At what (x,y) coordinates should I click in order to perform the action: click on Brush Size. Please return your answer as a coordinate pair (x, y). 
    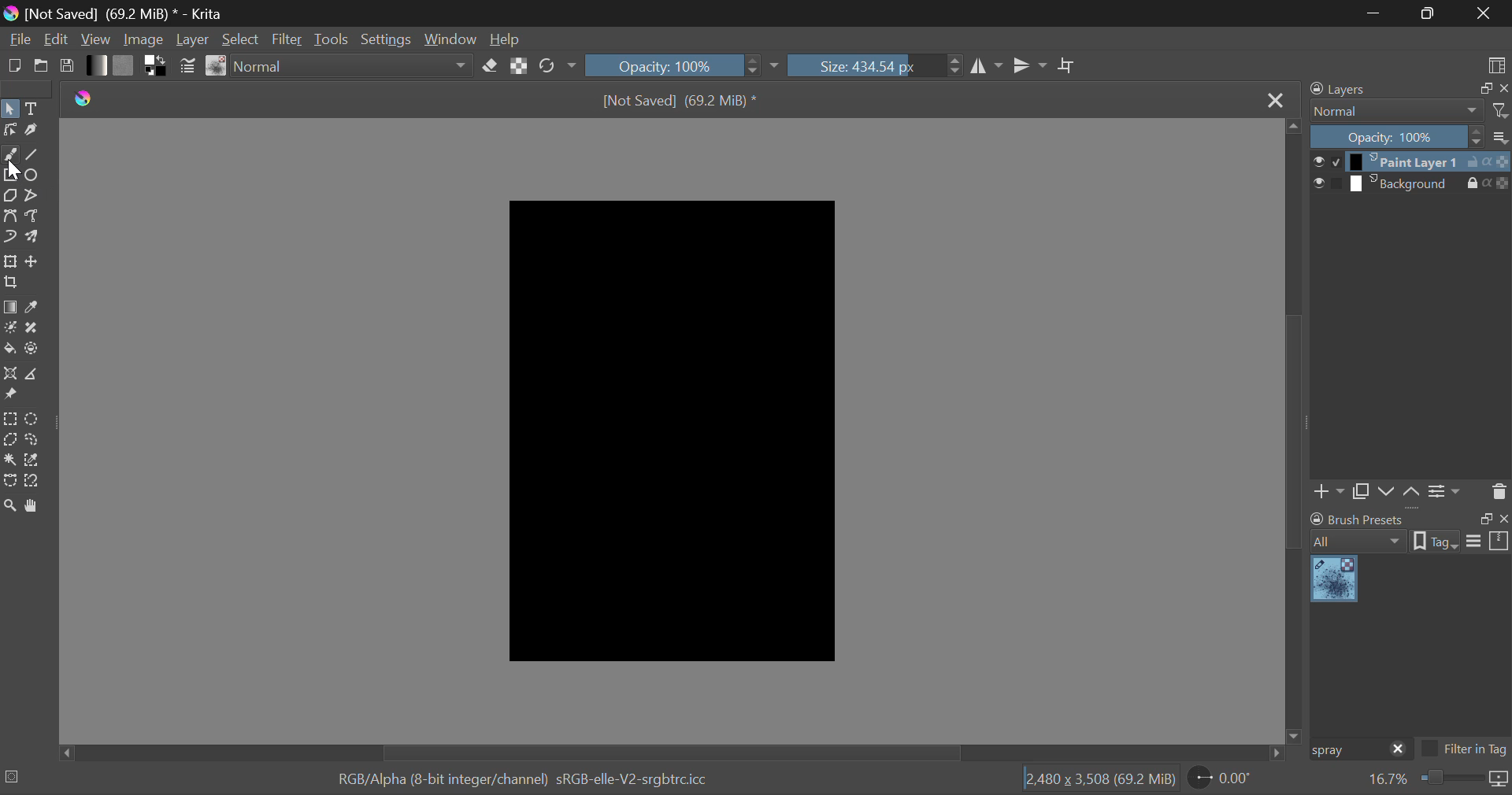
    Looking at the image, I should click on (875, 65).